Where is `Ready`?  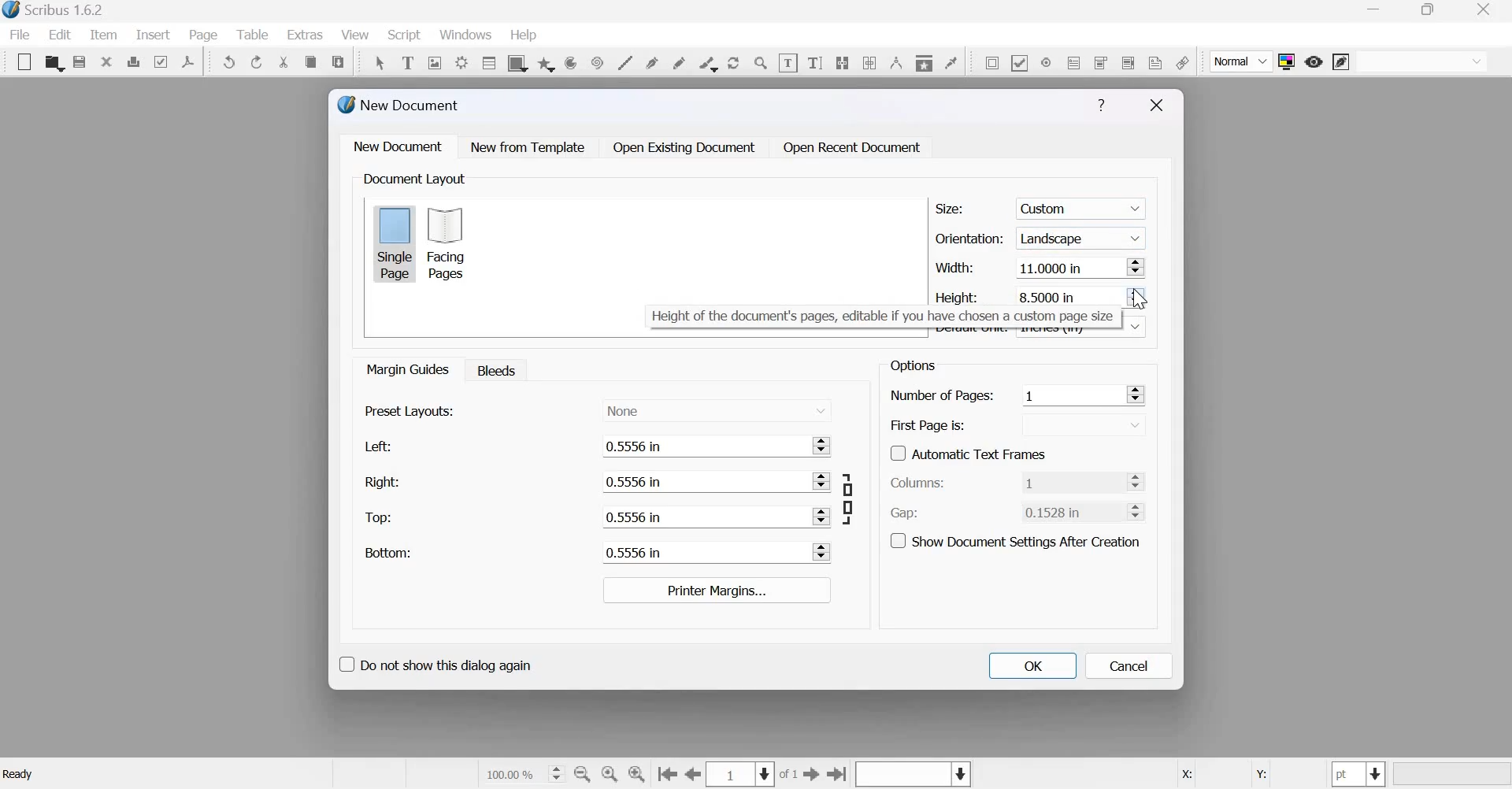 Ready is located at coordinates (20, 774).